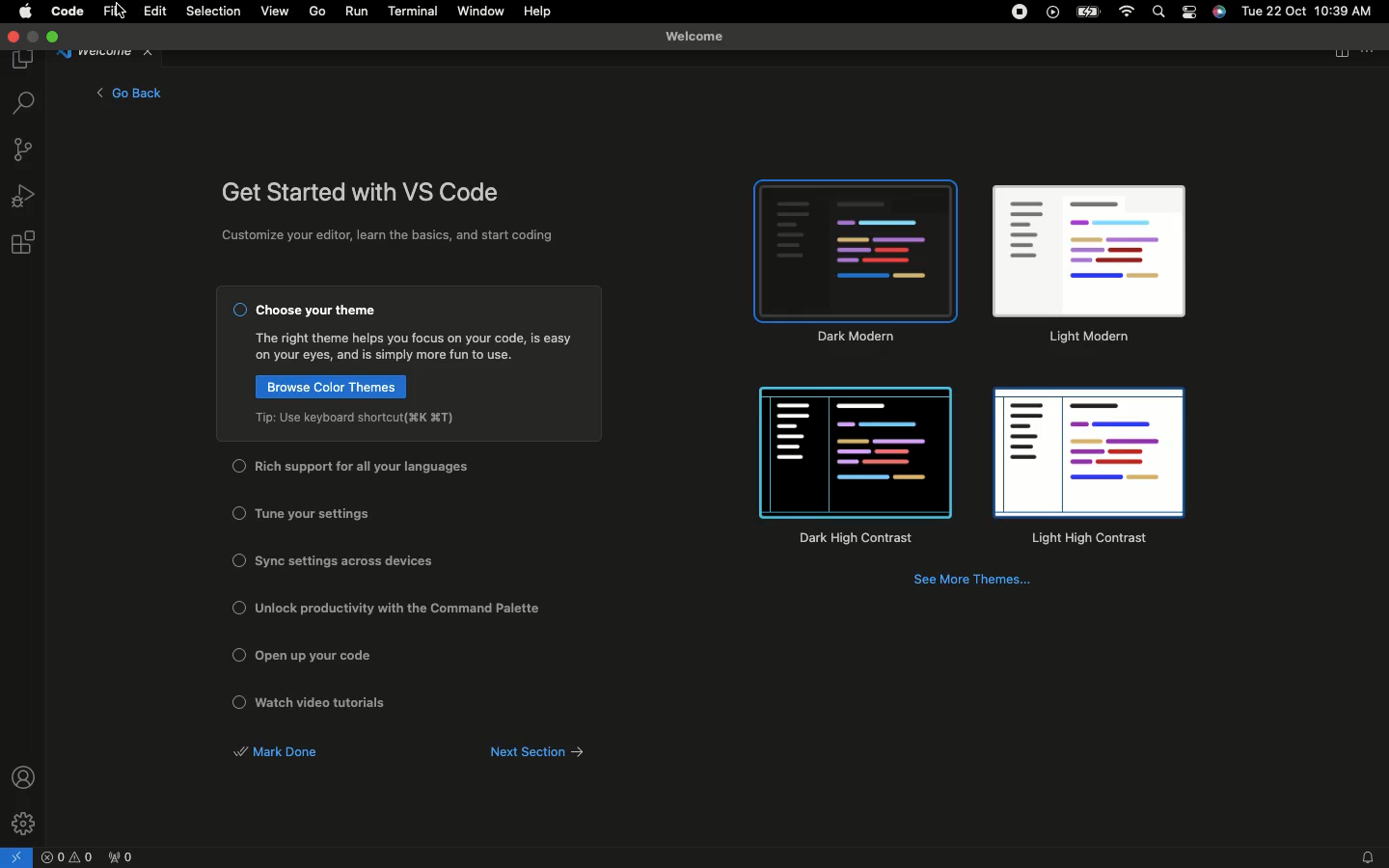 This screenshot has height=868, width=1389. Describe the element at coordinates (239, 702) in the screenshot. I see `Checkbox` at that location.